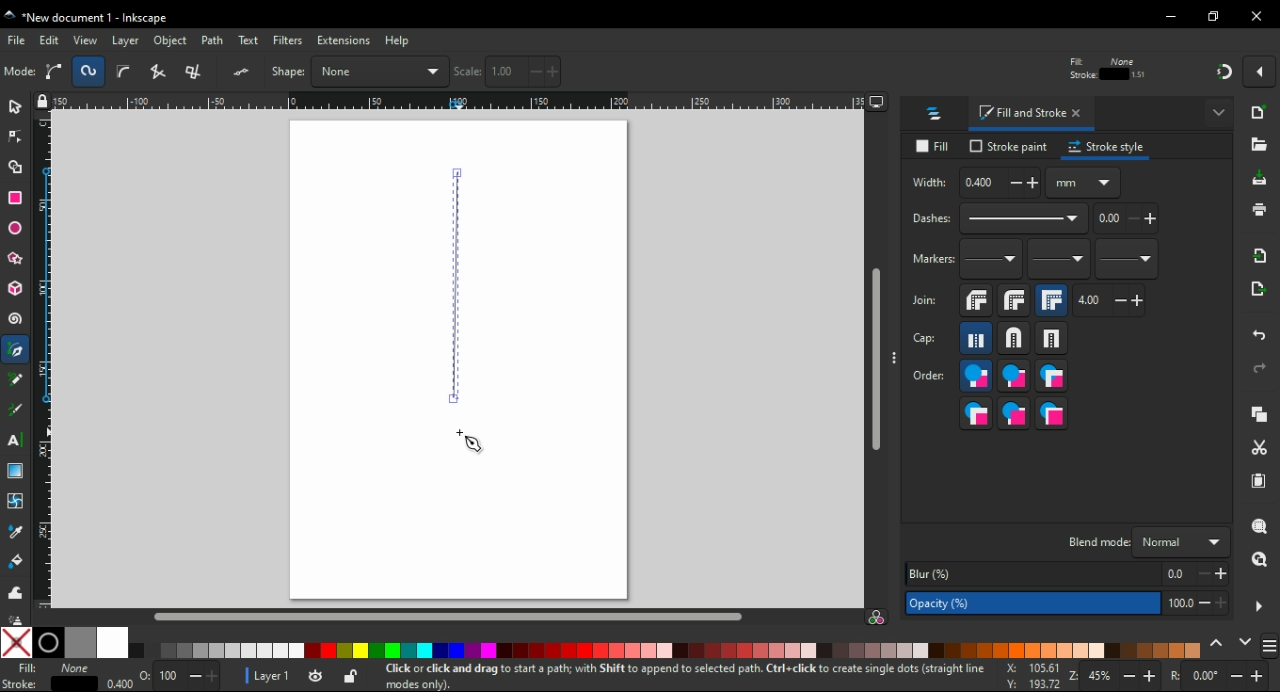  Describe the element at coordinates (1218, 677) in the screenshot. I see `rotation` at that location.